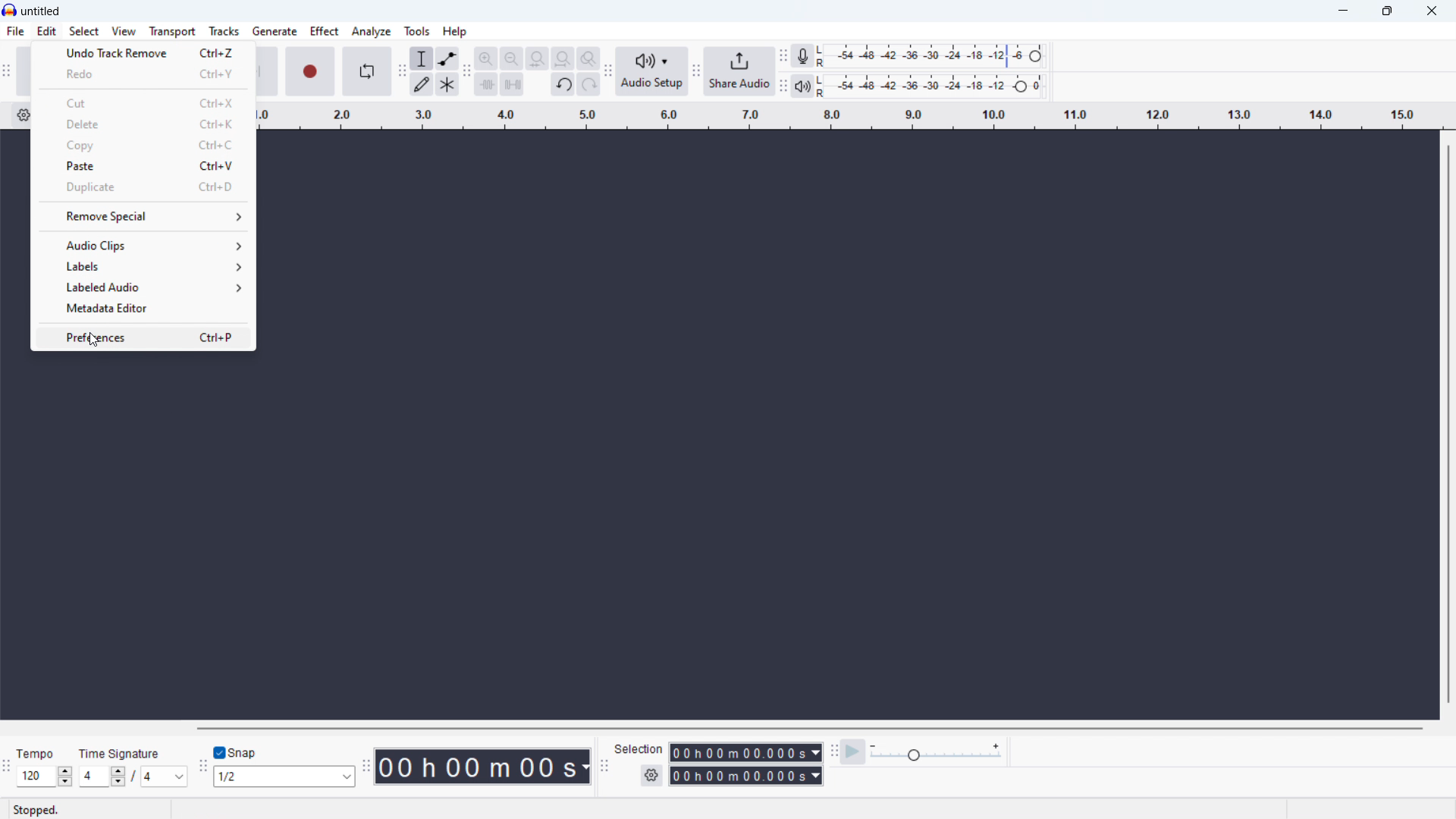 The width and height of the screenshot is (1456, 819). Describe the element at coordinates (513, 84) in the screenshot. I see `silence audio selection` at that location.